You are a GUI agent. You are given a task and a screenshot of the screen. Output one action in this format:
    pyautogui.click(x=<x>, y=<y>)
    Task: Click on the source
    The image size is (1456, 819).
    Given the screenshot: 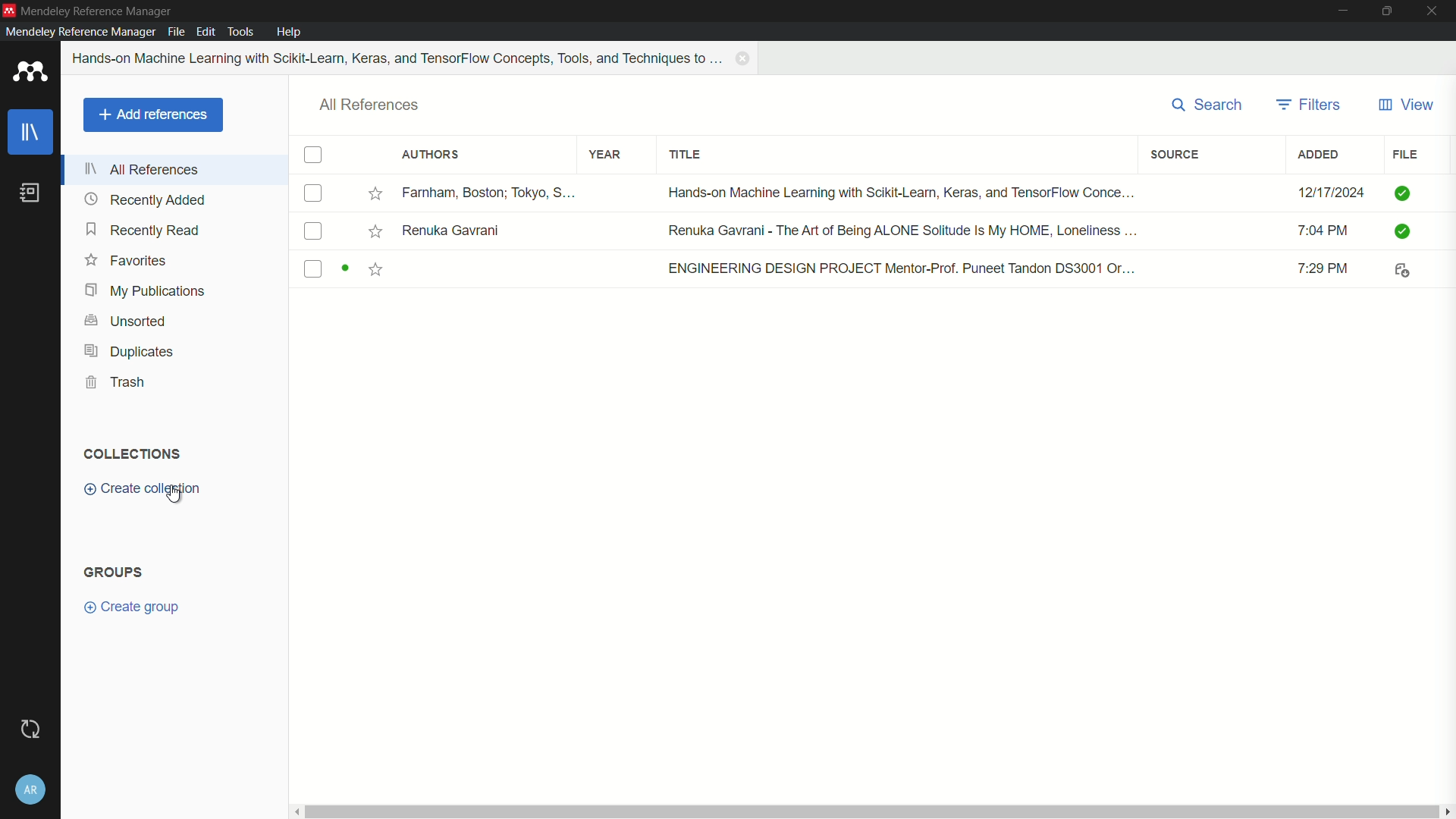 What is the action you would take?
    pyautogui.click(x=1176, y=154)
    